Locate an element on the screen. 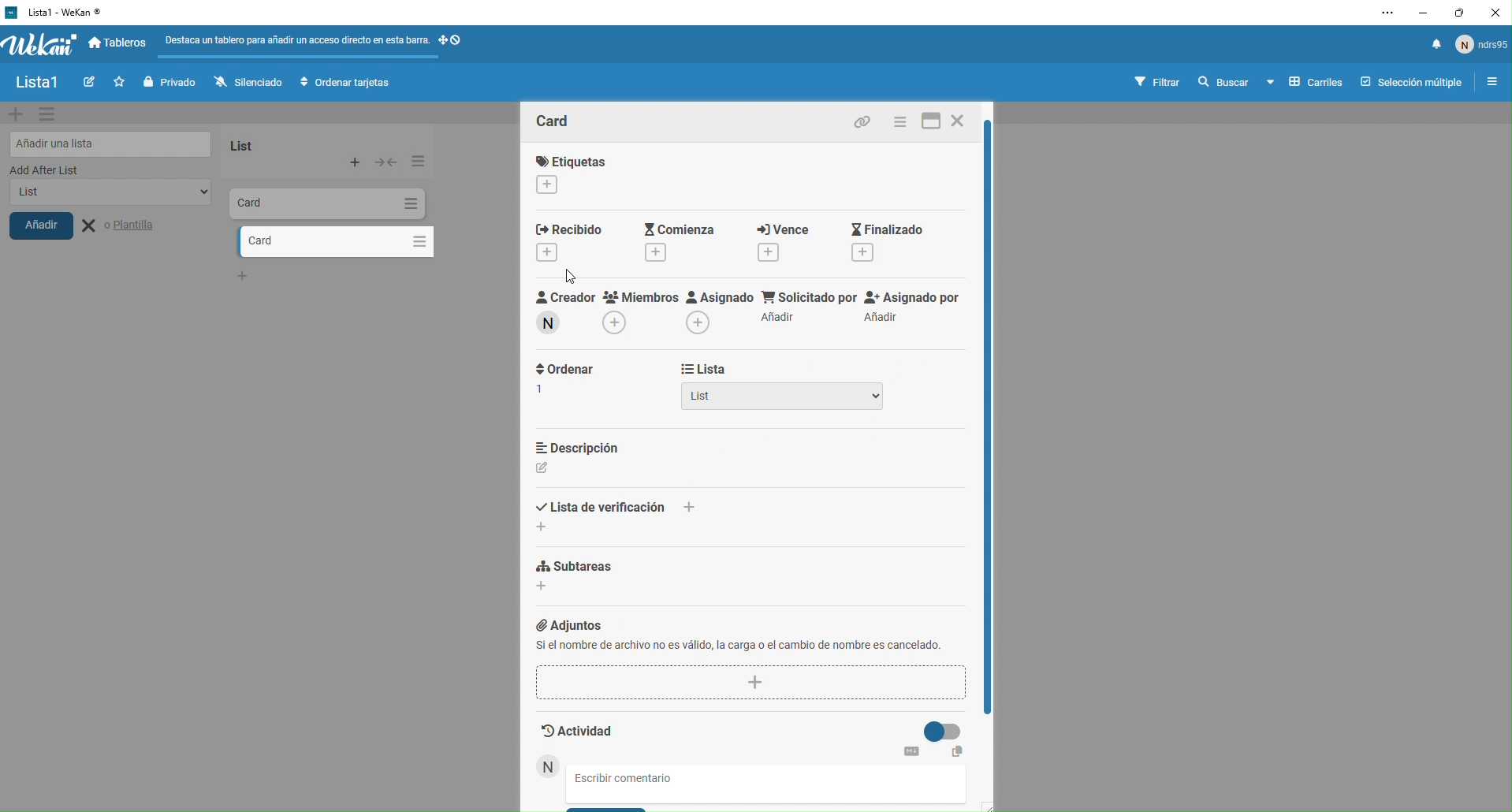  window is located at coordinates (929, 122).